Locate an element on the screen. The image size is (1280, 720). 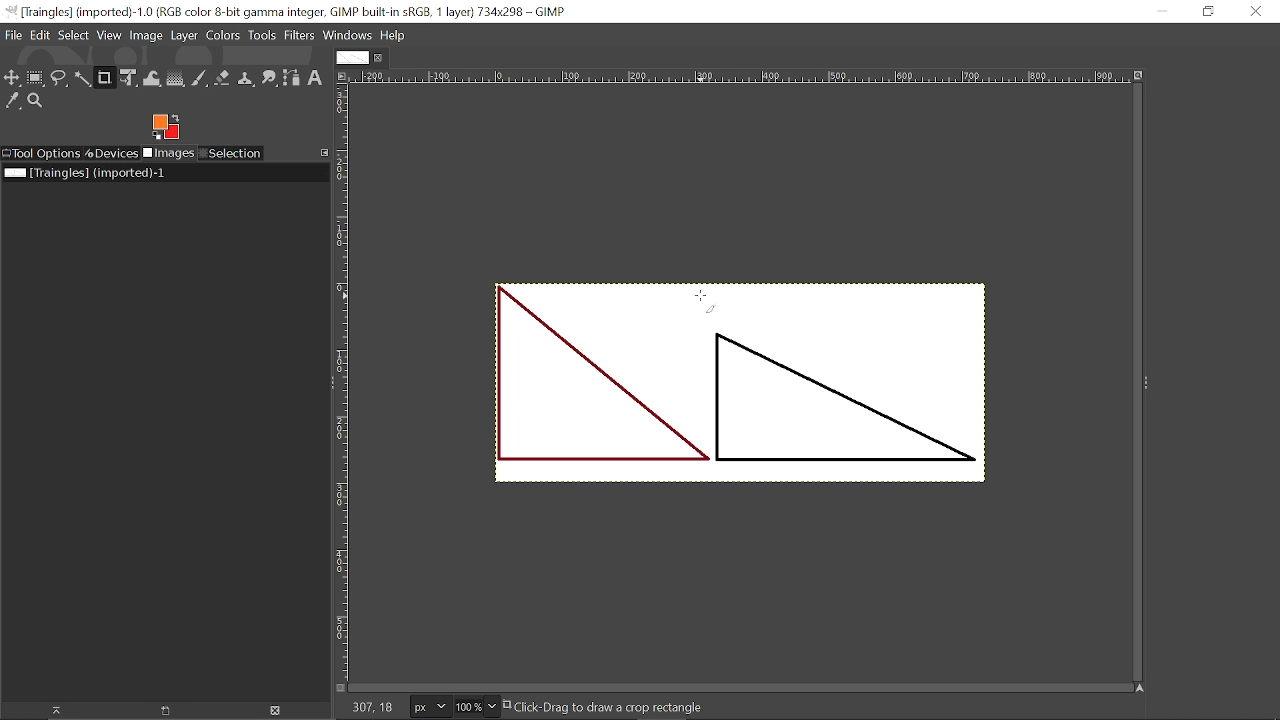
Colors is located at coordinates (223, 37).